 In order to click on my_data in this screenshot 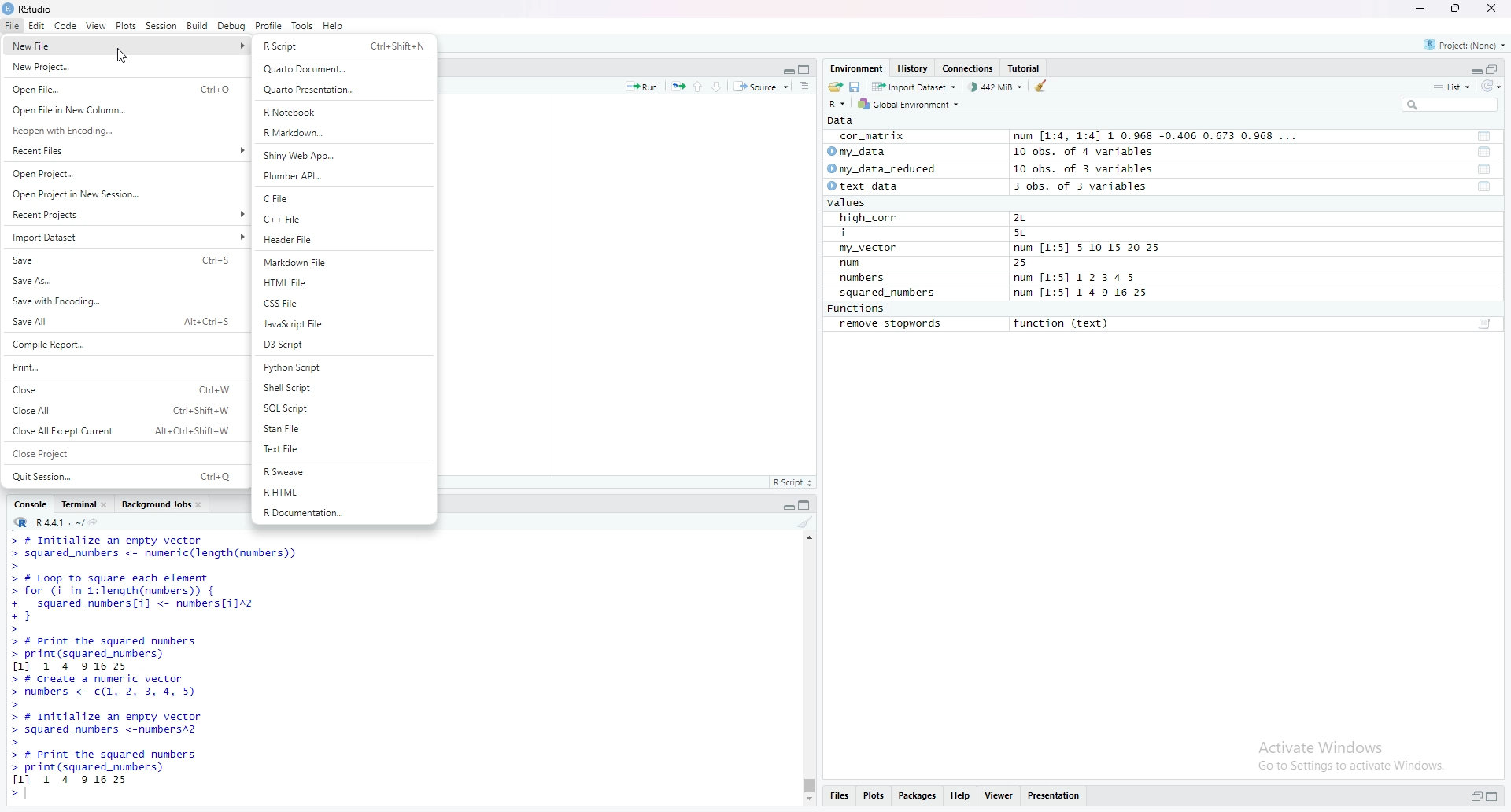, I will do `click(866, 151)`.